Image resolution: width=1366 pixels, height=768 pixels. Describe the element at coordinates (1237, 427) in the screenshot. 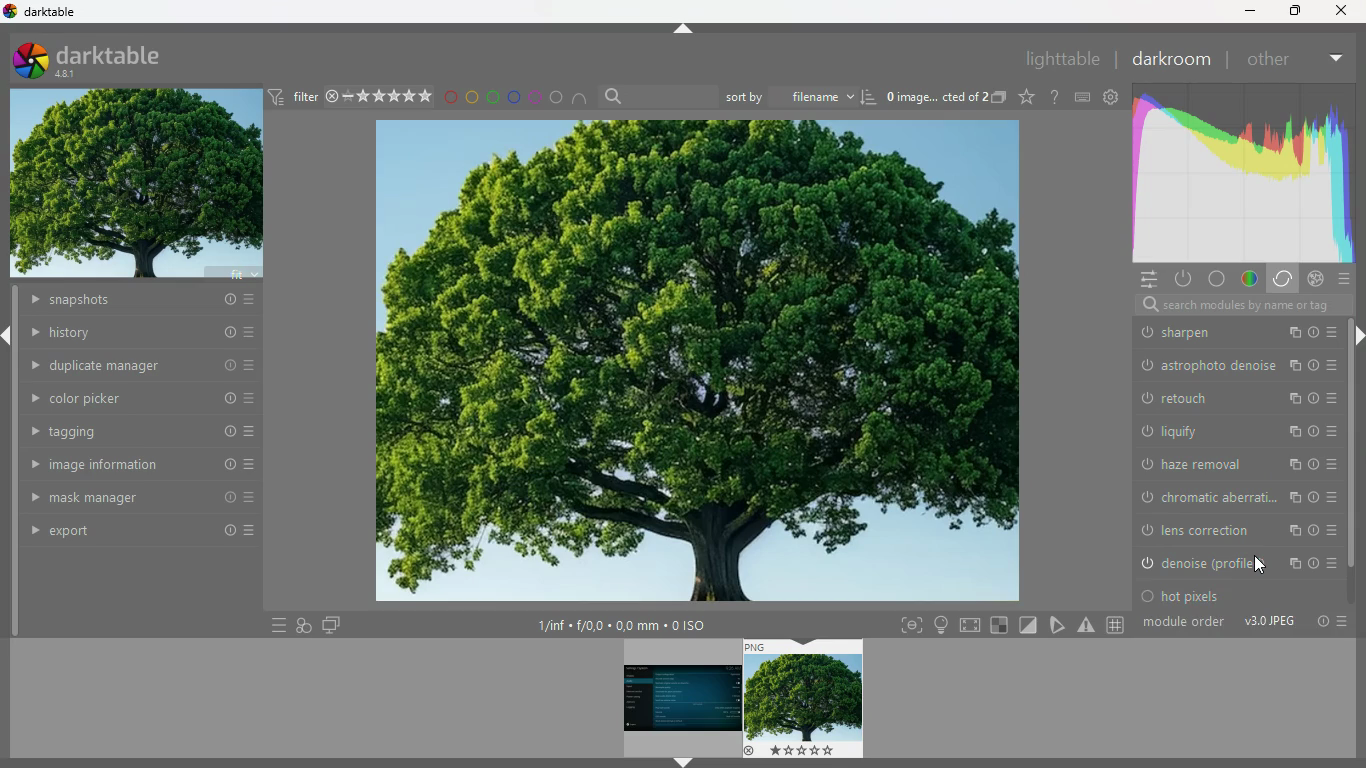

I see `white relative exposure` at that location.